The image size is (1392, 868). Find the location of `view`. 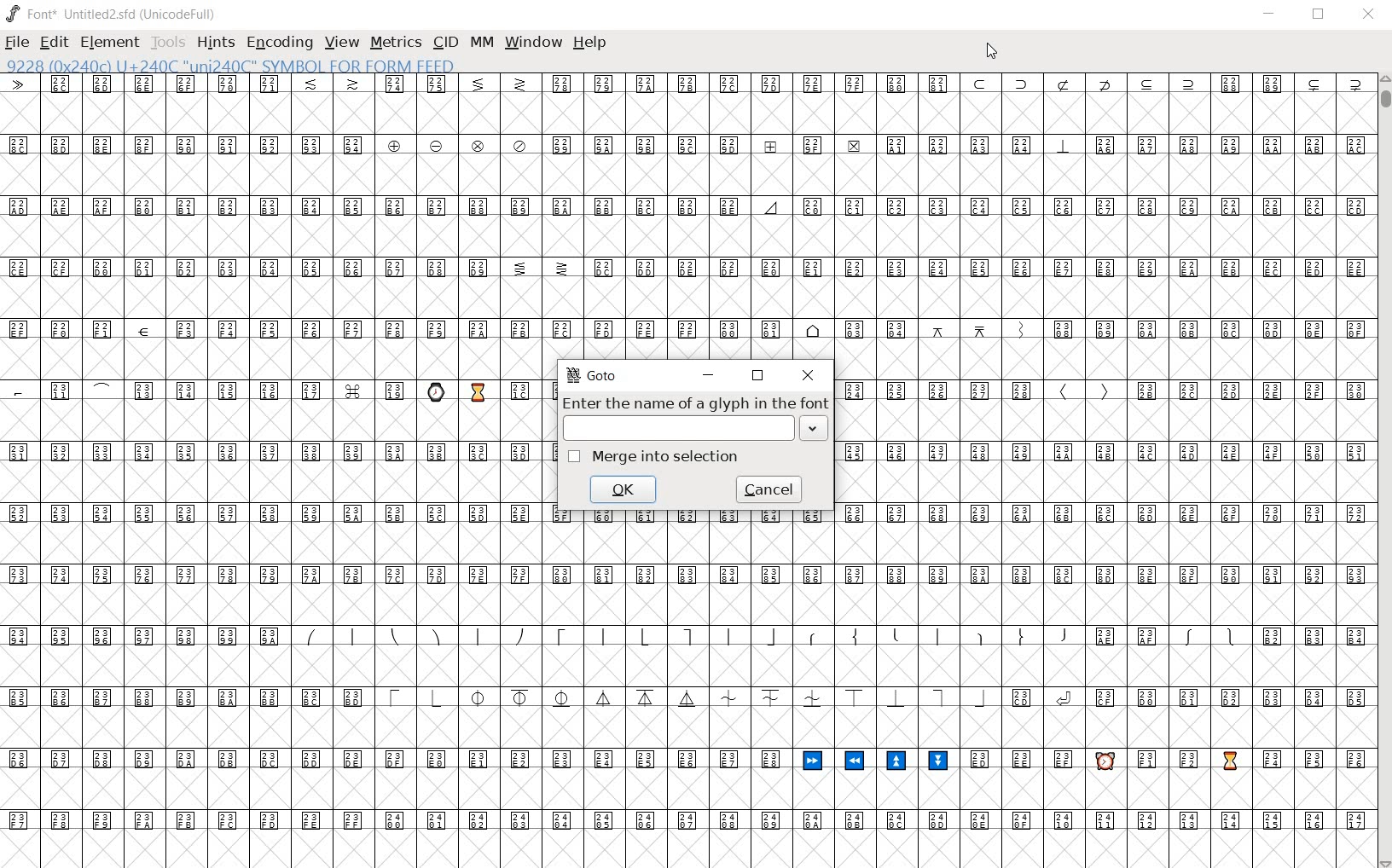

view is located at coordinates (343, 42).